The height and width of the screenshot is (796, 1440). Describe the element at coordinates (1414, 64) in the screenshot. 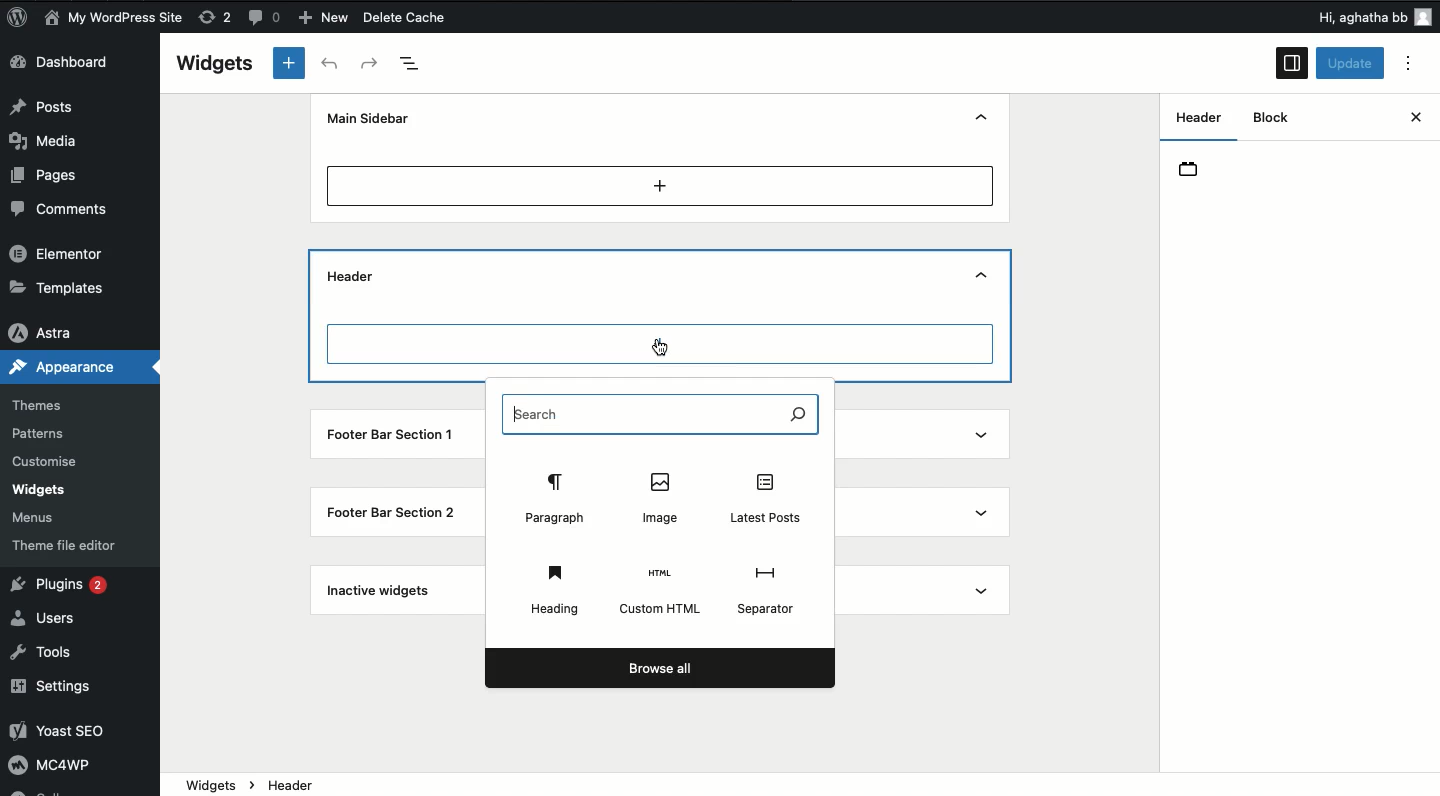

I see `Options` at that location.